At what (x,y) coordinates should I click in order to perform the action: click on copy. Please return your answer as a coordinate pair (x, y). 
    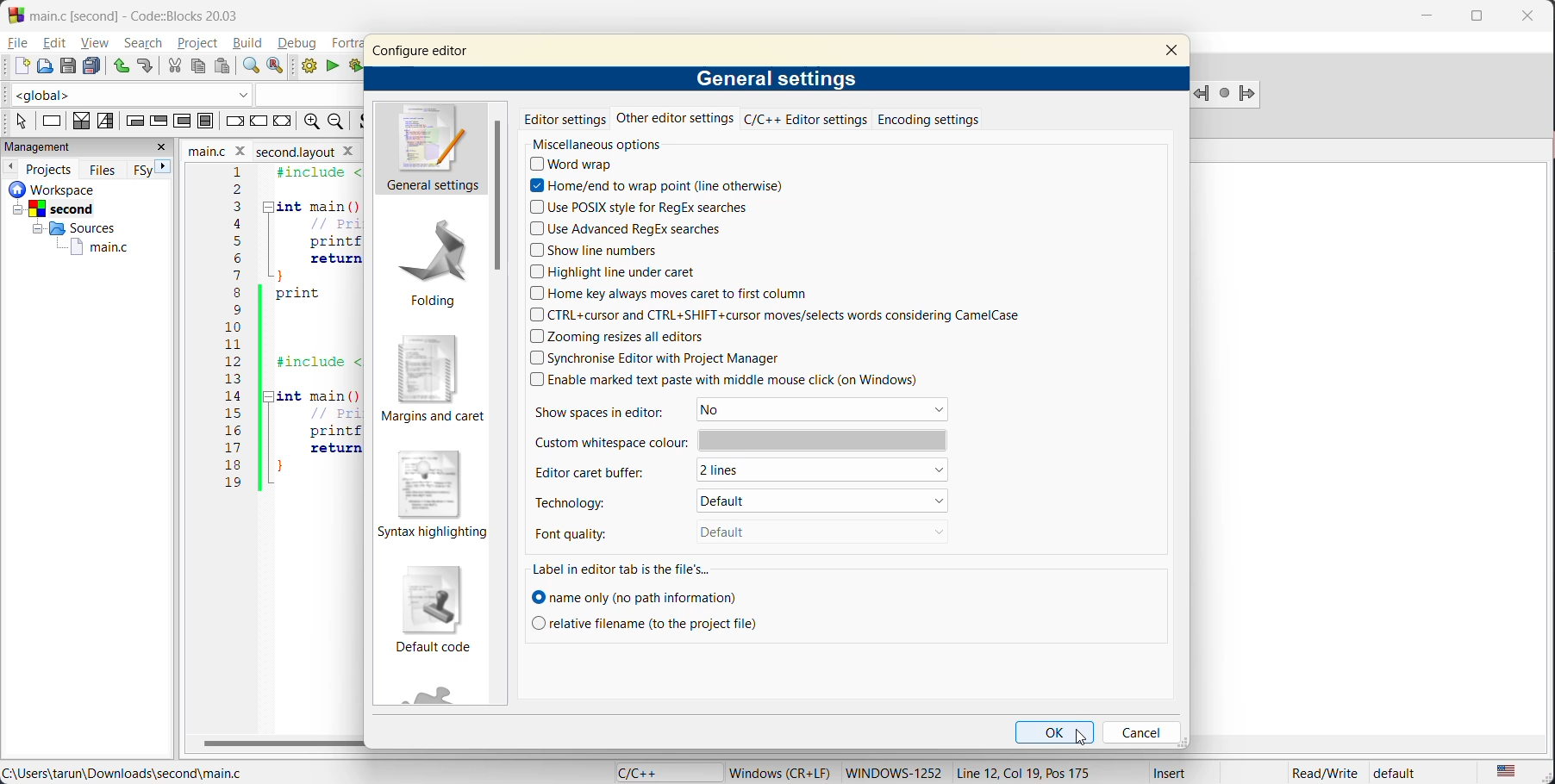
    Looking at the image, I should click on (197, 65).